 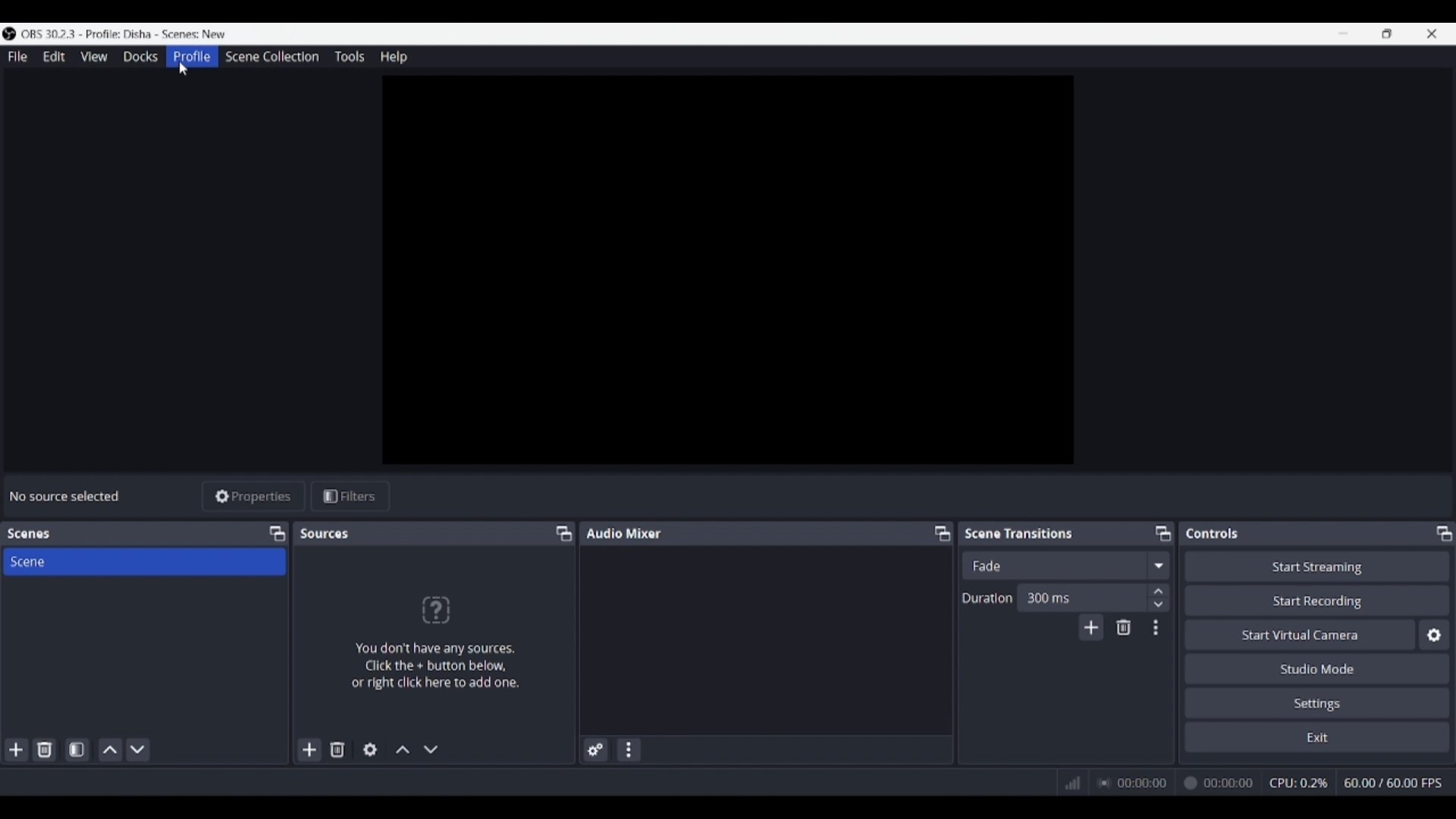 I want to click on Add transition, so click(x=1090, y=627).